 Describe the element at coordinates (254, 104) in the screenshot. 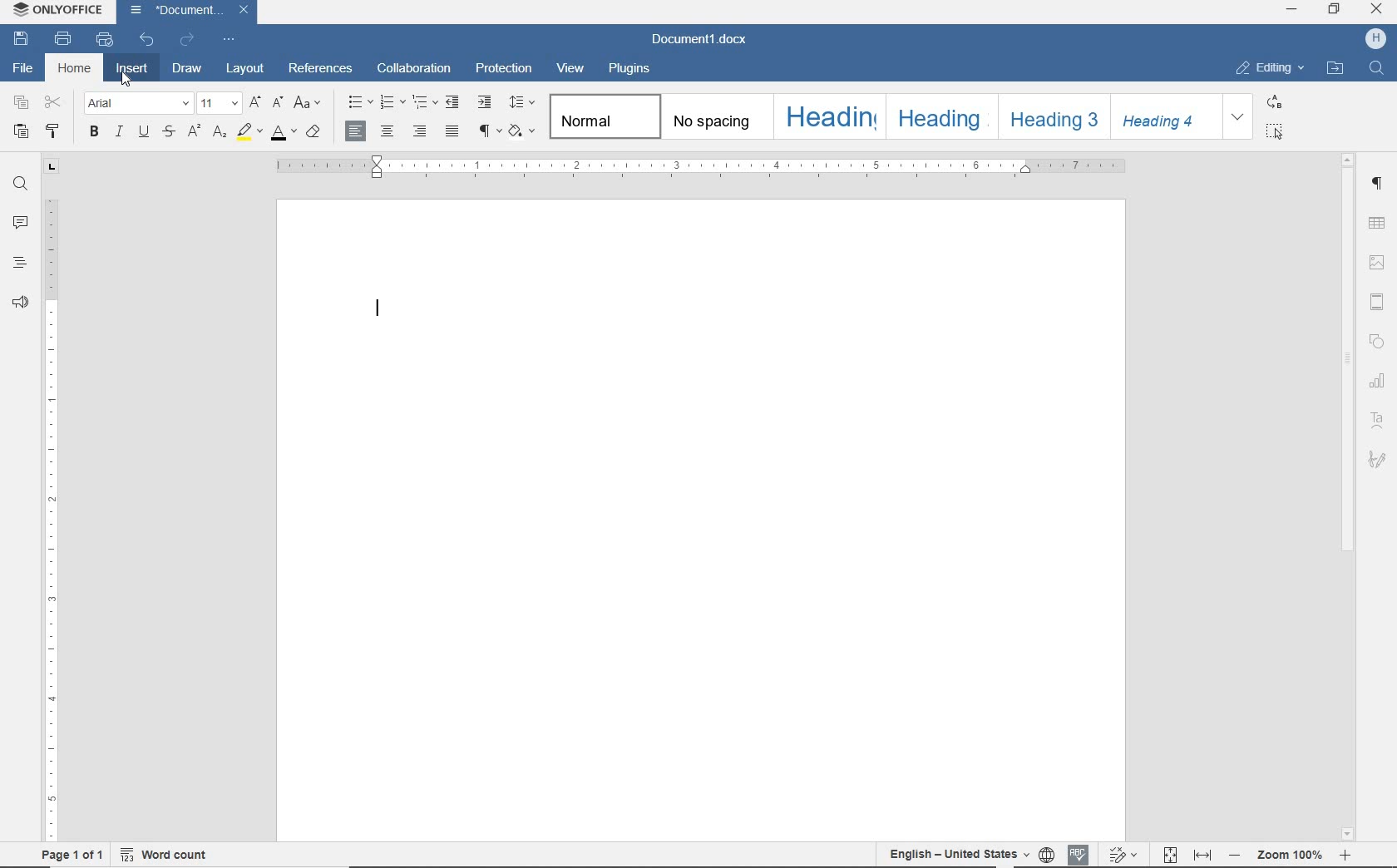

I see `increment font size` at that location.